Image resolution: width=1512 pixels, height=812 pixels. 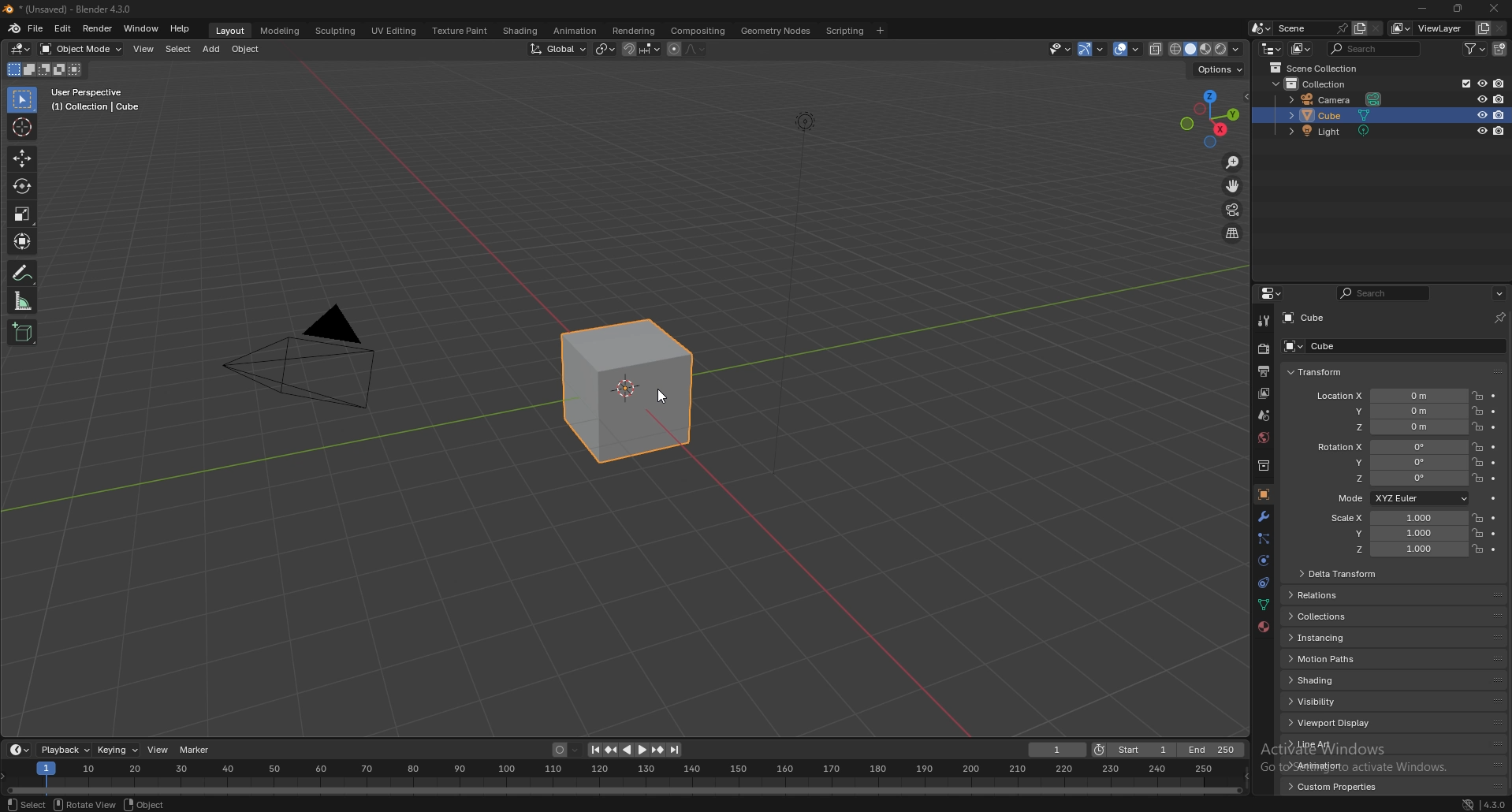 I want to click on lock location, so click(x=1477, y=396).